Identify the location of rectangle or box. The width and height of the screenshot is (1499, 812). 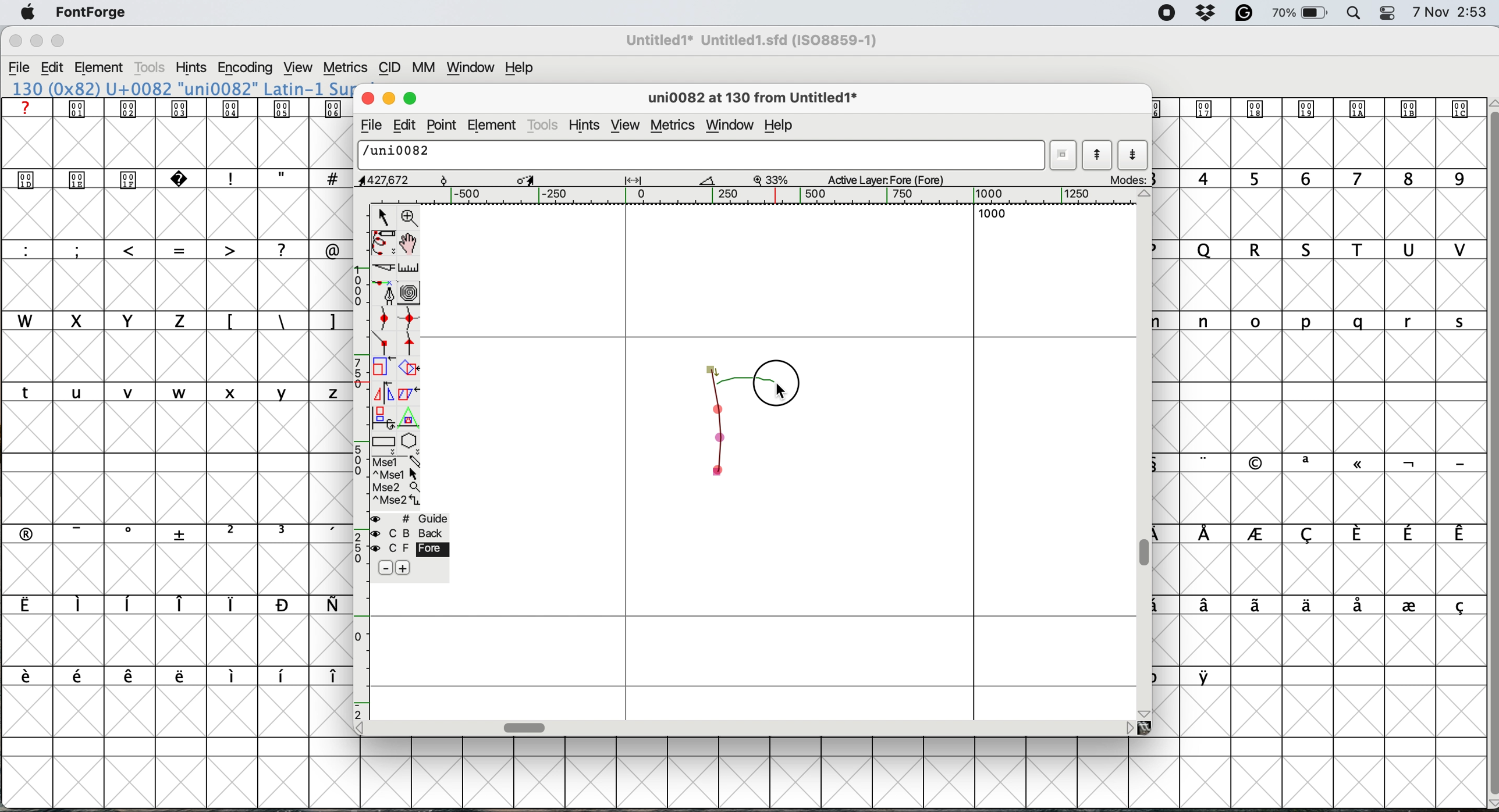
(385, 444).